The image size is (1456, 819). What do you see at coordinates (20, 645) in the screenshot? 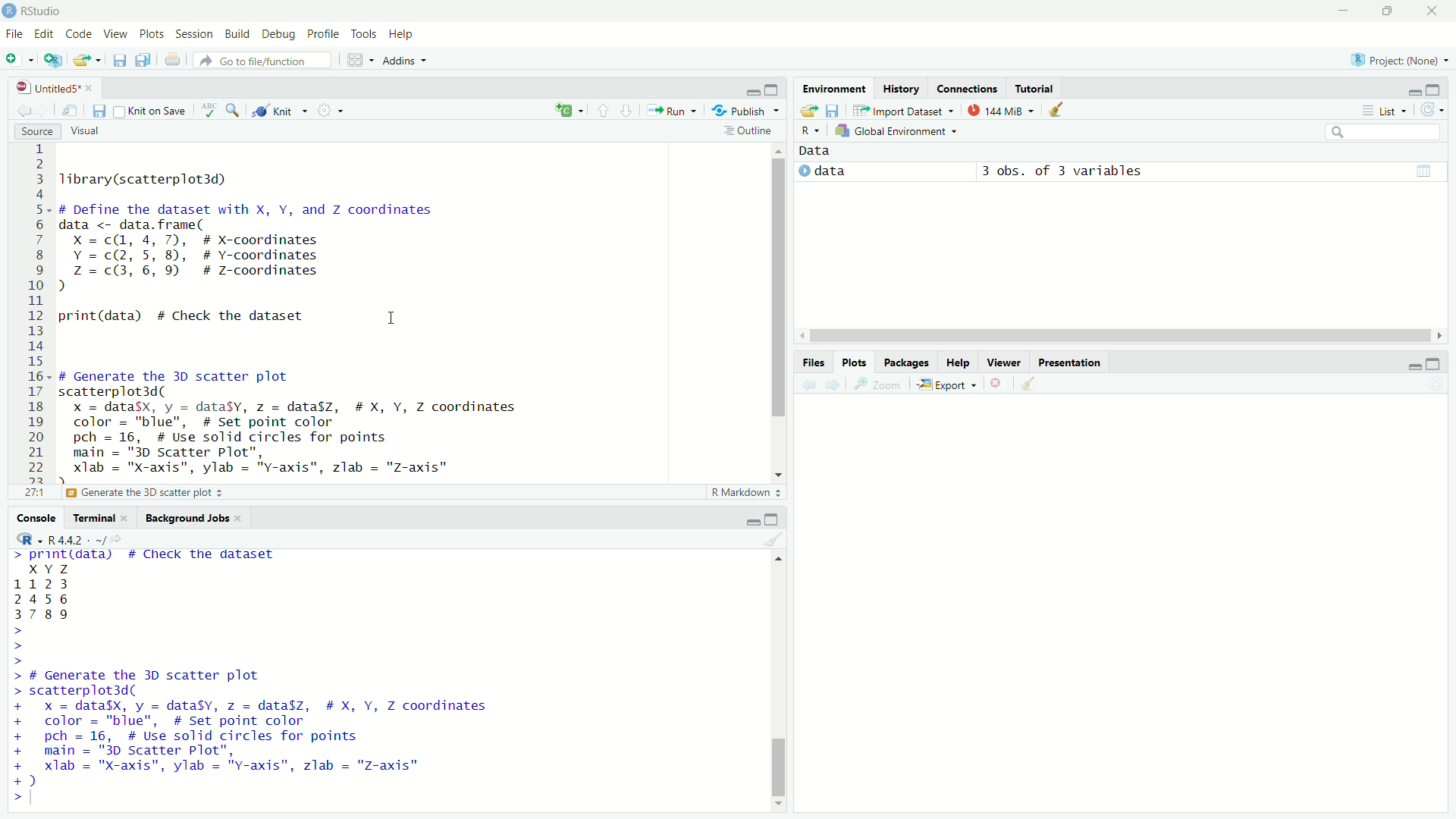
I see `prompt cursor` at bounding box center [20, 645].